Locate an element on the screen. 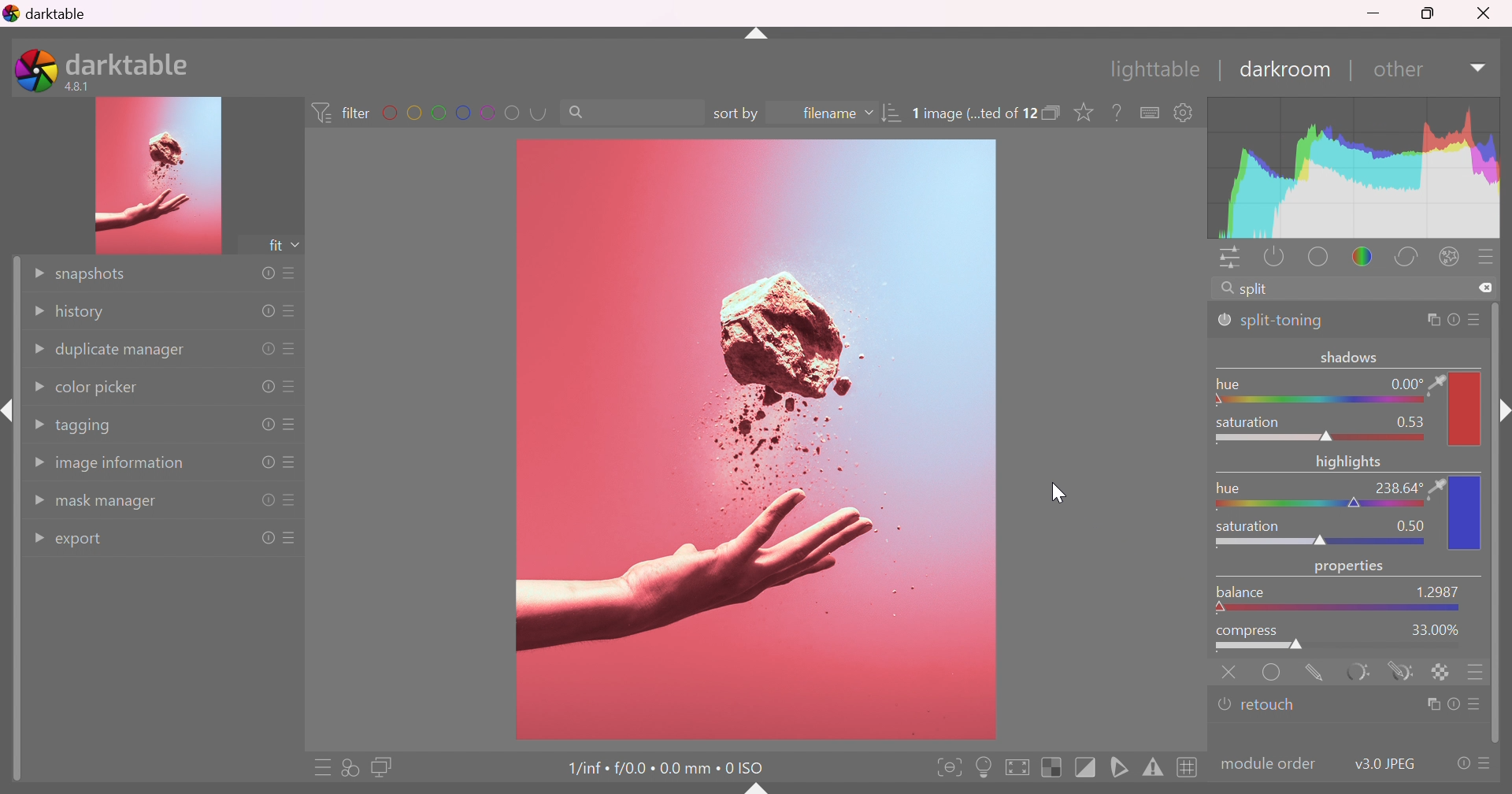 The width and height of the screenshot is (1512, 794). history is located at coordinates (83, 312).